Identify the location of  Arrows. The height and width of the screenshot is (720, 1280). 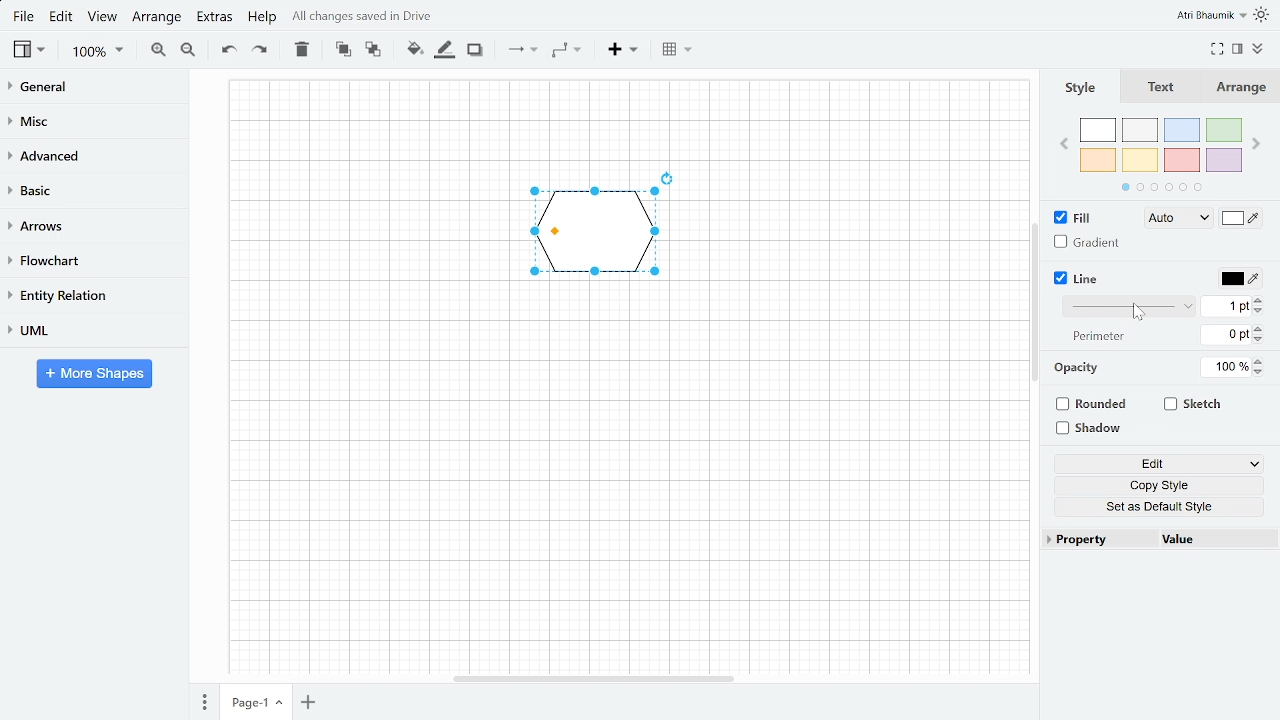
(90, 224).